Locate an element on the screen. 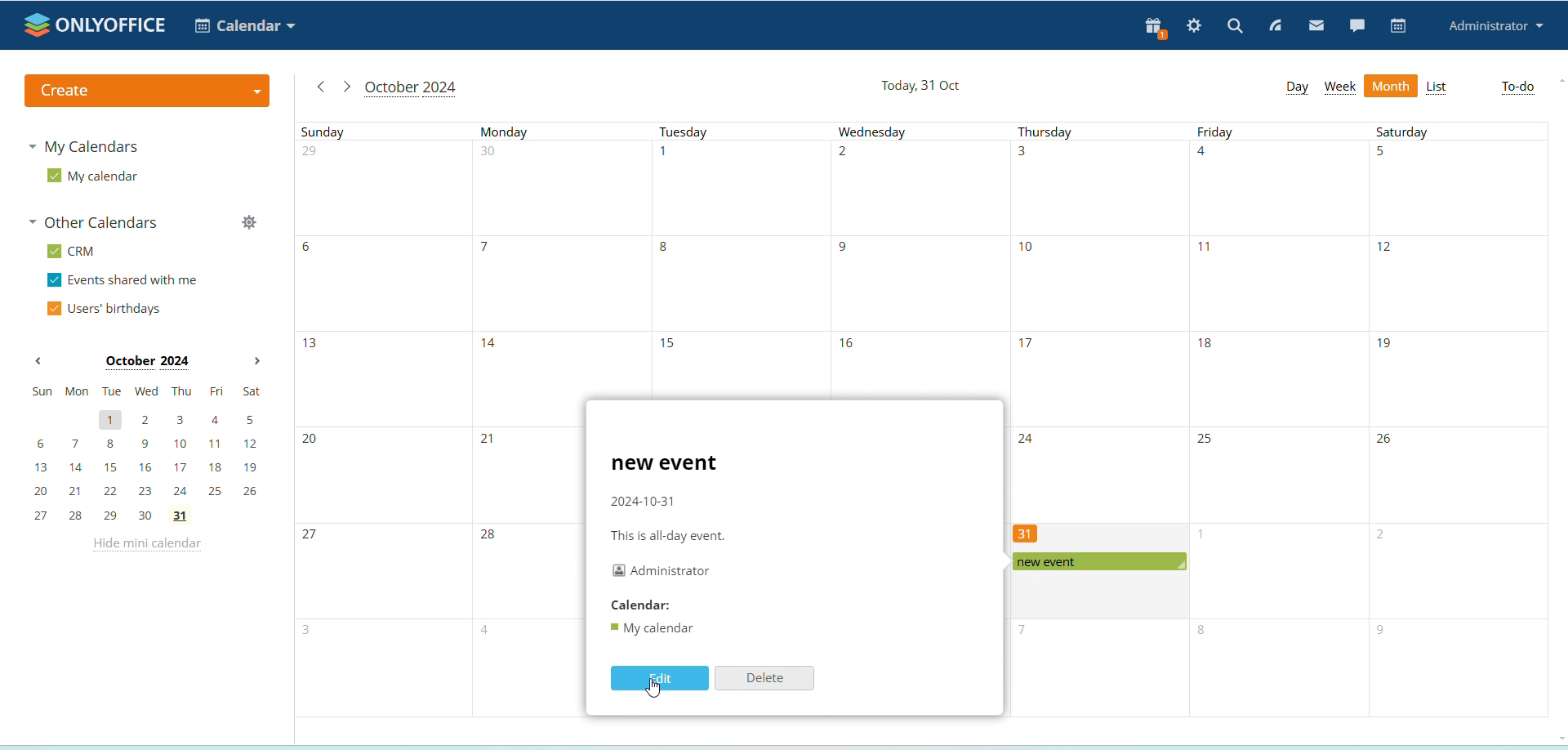 Image resolution: width=1568 pixels, height=750 pixels. event from calendar is located at coordinates (657, 629).